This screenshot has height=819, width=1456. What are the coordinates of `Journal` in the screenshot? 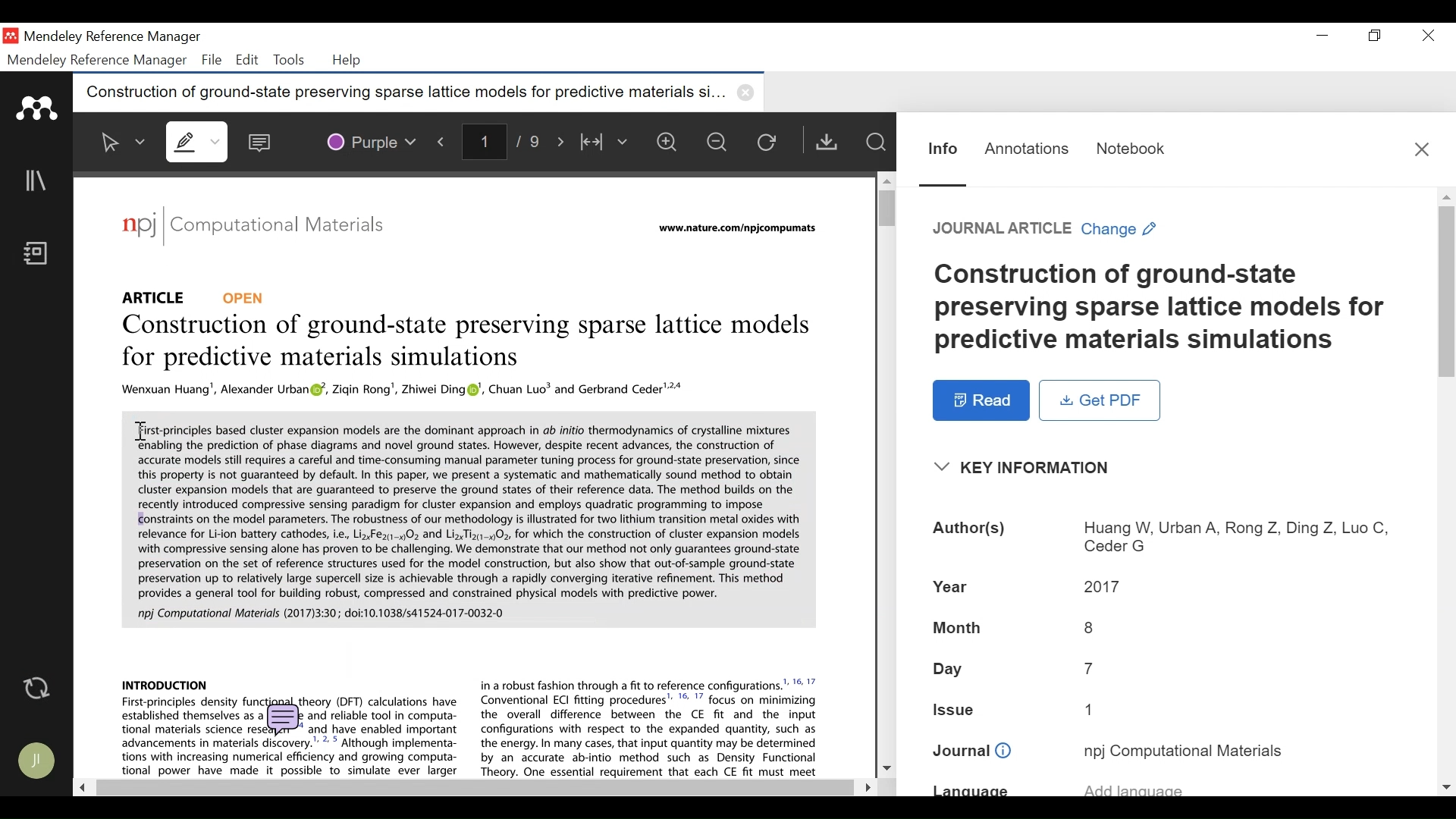 It's located at (1184, 750).